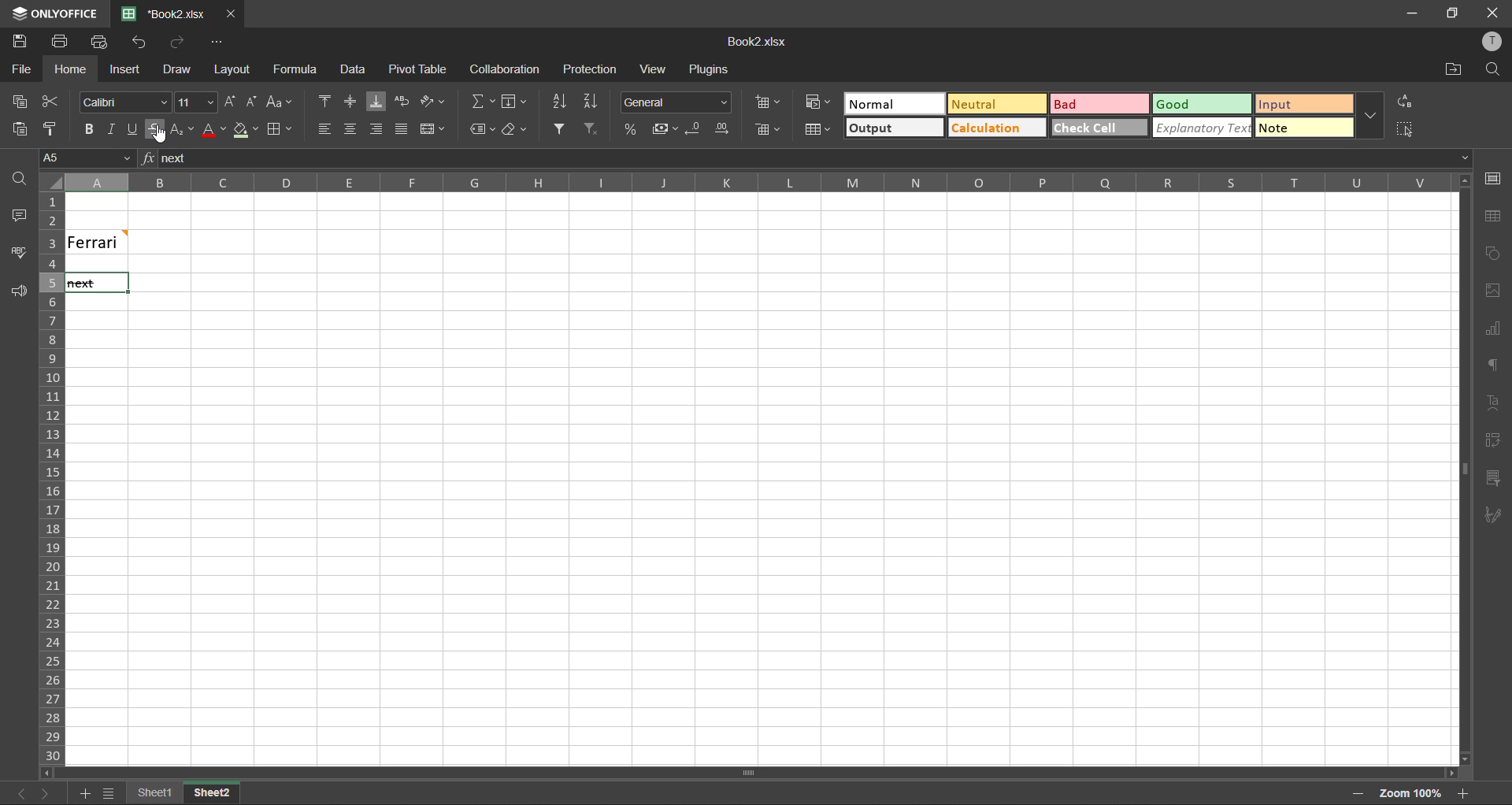 The width and height of the screenshot is (1512, 805). What do you see at coordinates (1494, 291) in the screenshot?
I see `images` at bounding box center [1494, 291].